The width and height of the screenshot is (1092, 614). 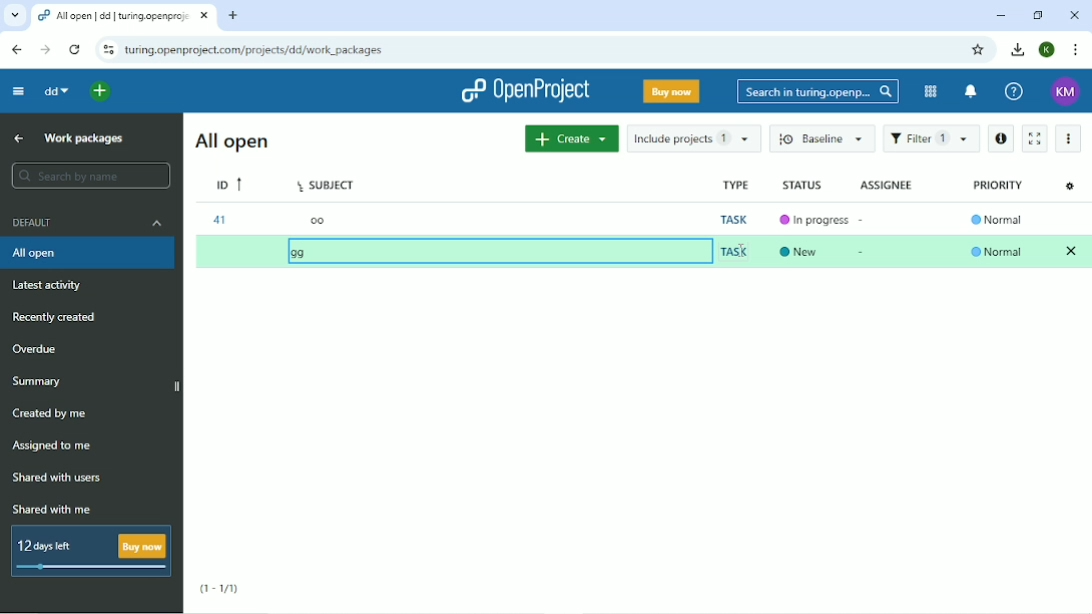 I want to click on Overdue, so click(x=34, y=347).